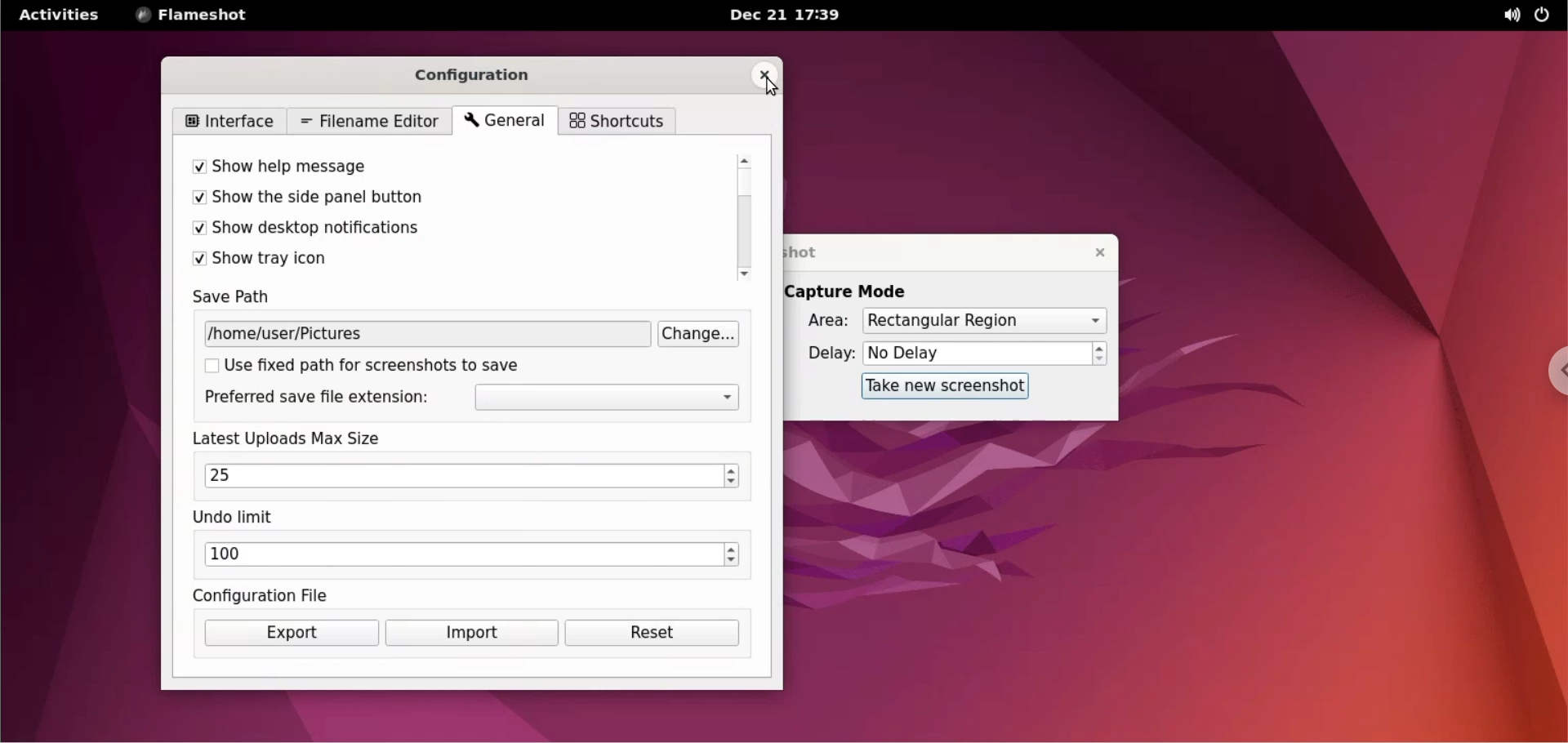  Describe the element at coordinates (195, 16) in the screenshot. I see `flameshot menu` at that location.